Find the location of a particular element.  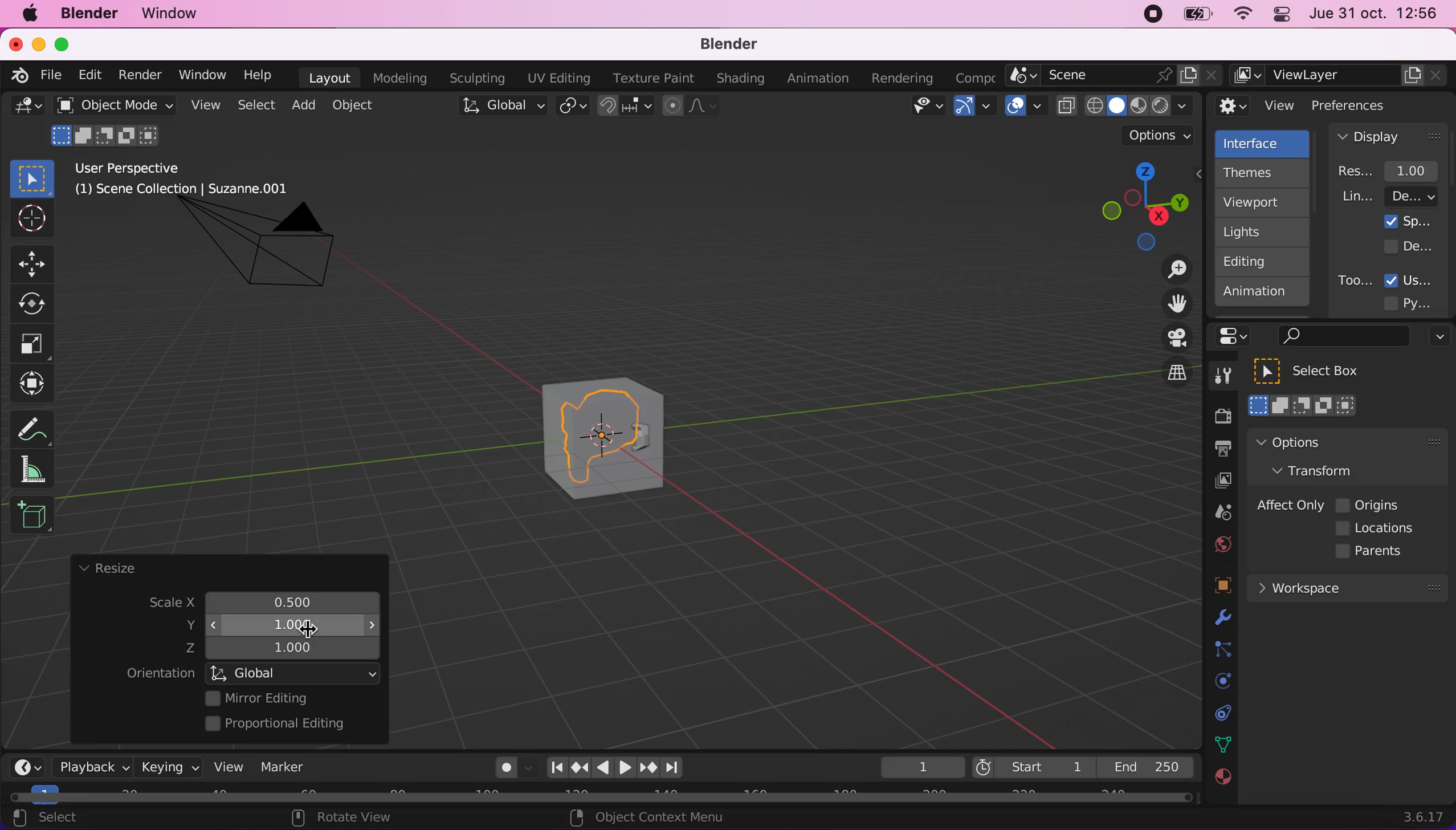

wifi is located at coordinates (1239, 17).